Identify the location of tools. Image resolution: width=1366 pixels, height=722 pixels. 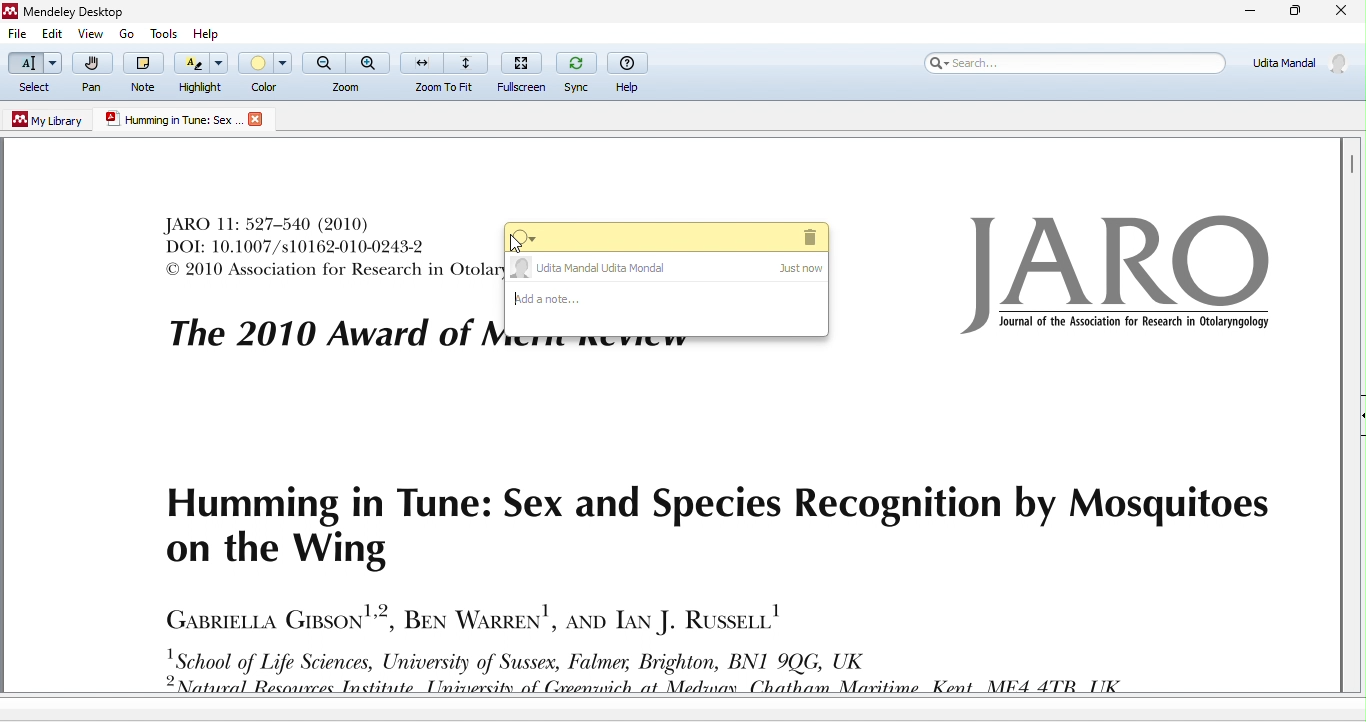
(162, 32).